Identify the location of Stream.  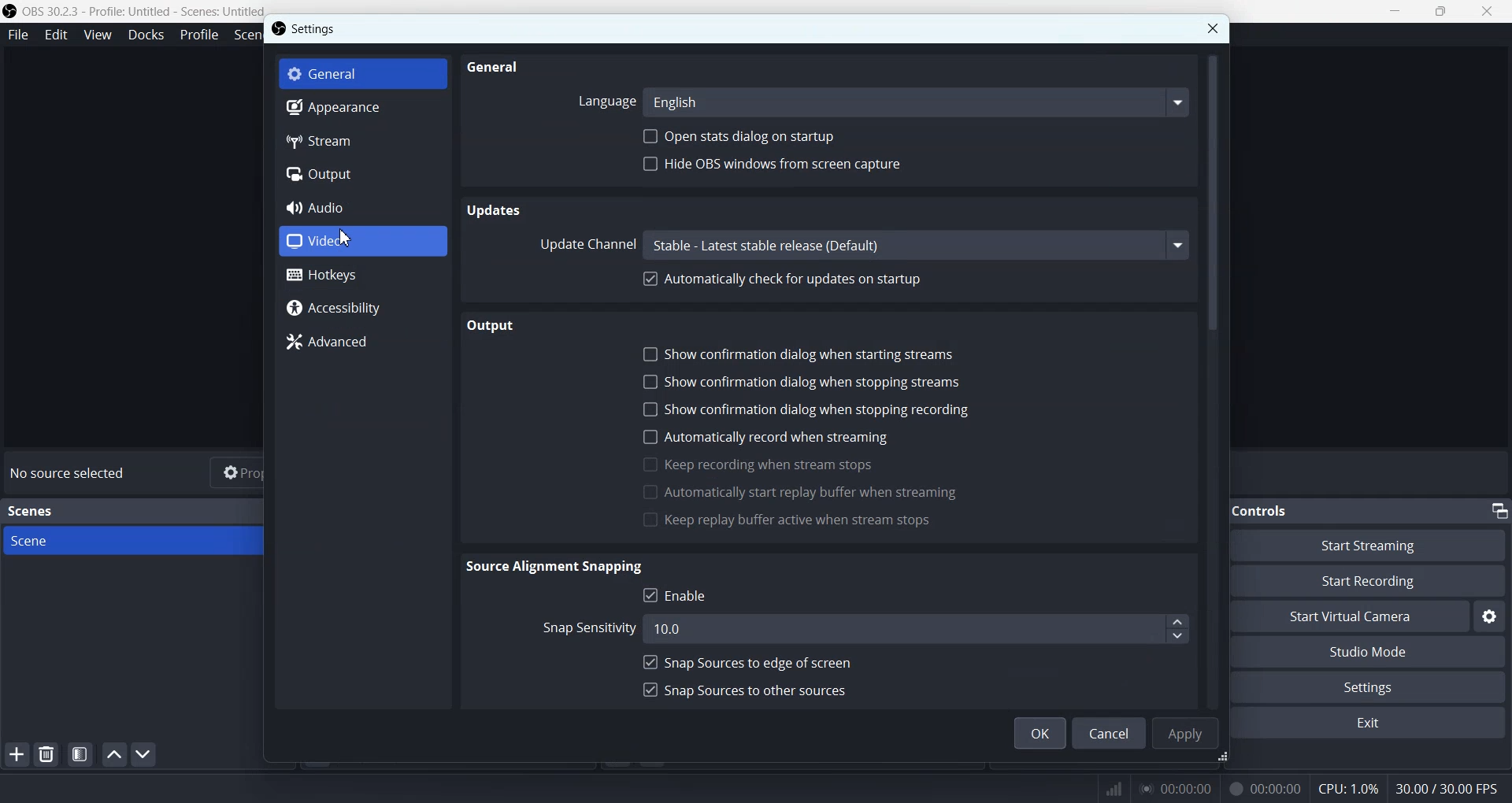
(362, 142).